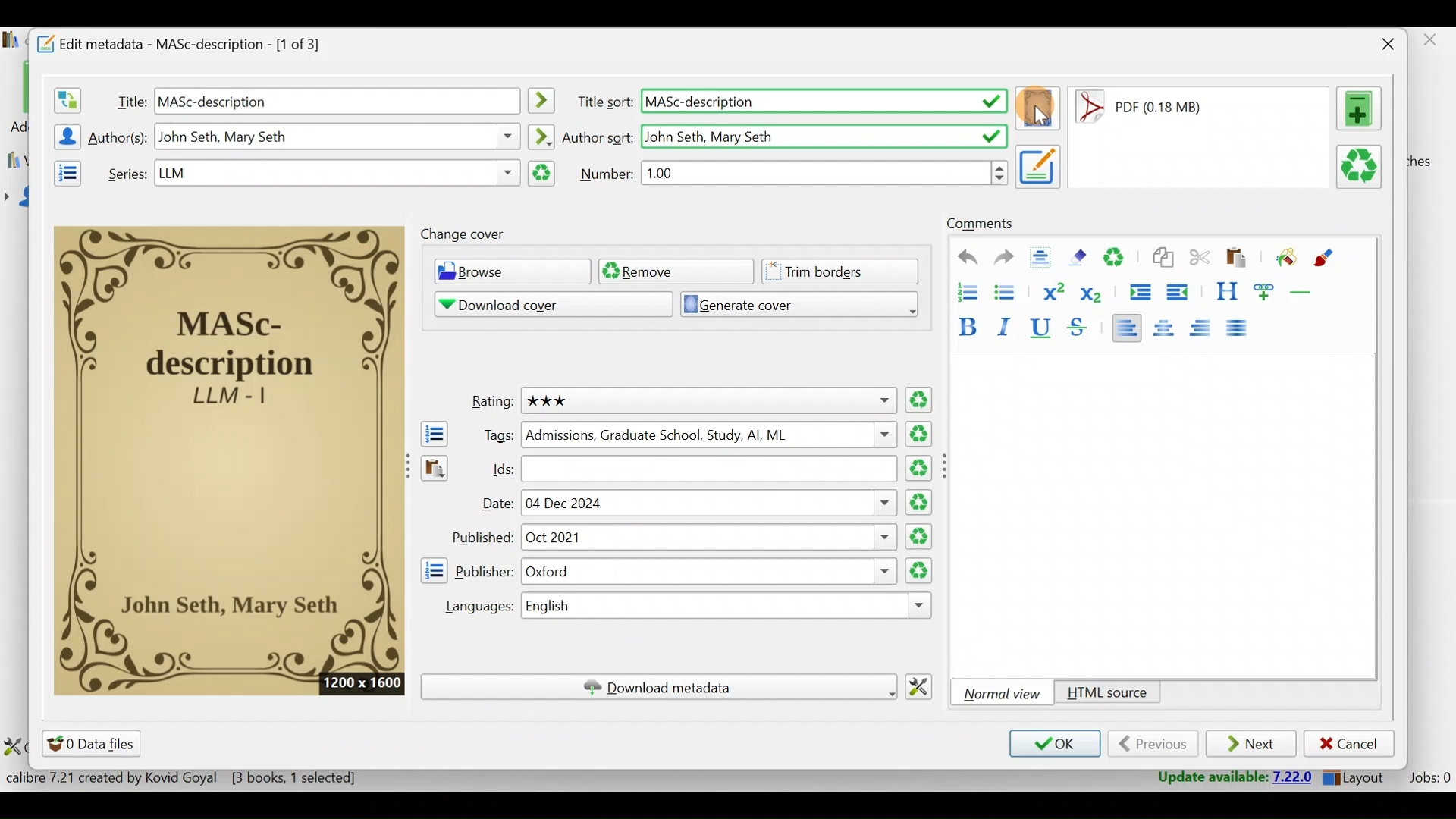 The image size is (1456, 819). I want to click on Comments, so click(980, 224).